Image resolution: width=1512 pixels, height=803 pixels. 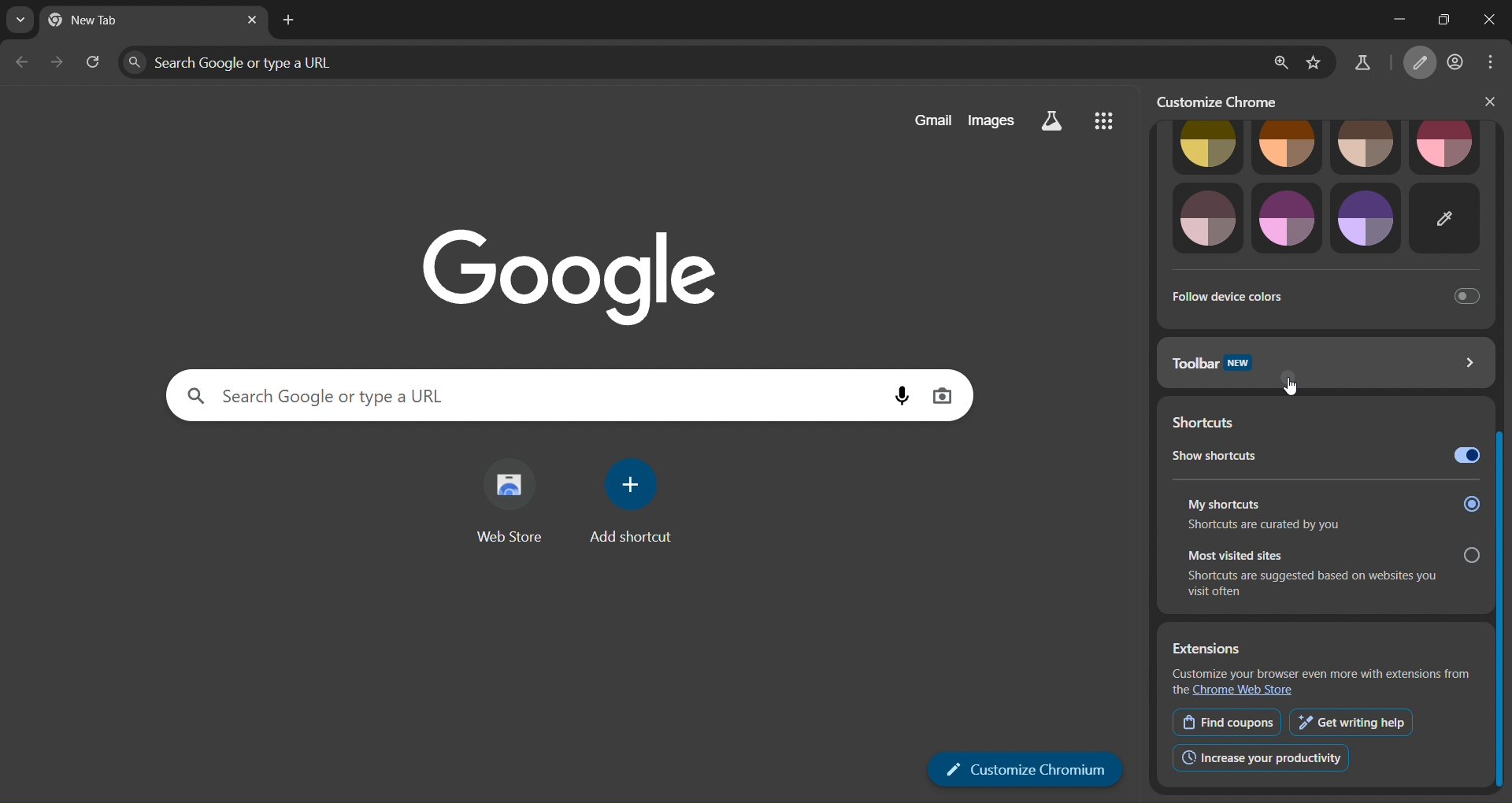 I want to click on searrch labs, so click(x=1052, y=121).